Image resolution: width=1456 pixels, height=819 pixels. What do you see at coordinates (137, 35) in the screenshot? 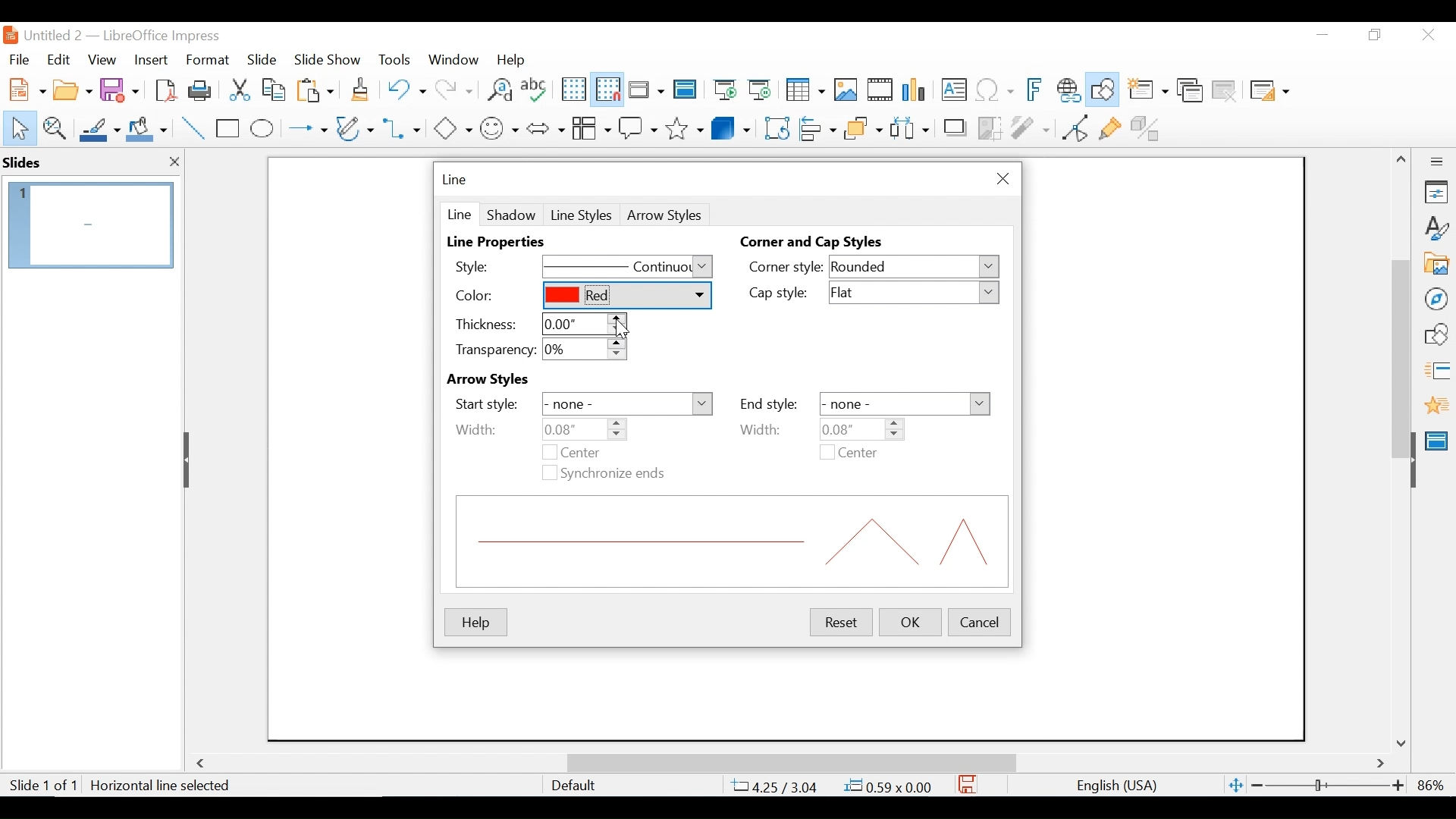
I see `Untitled 2 - LivreOffice Impress` at bounding box center [137, 35].